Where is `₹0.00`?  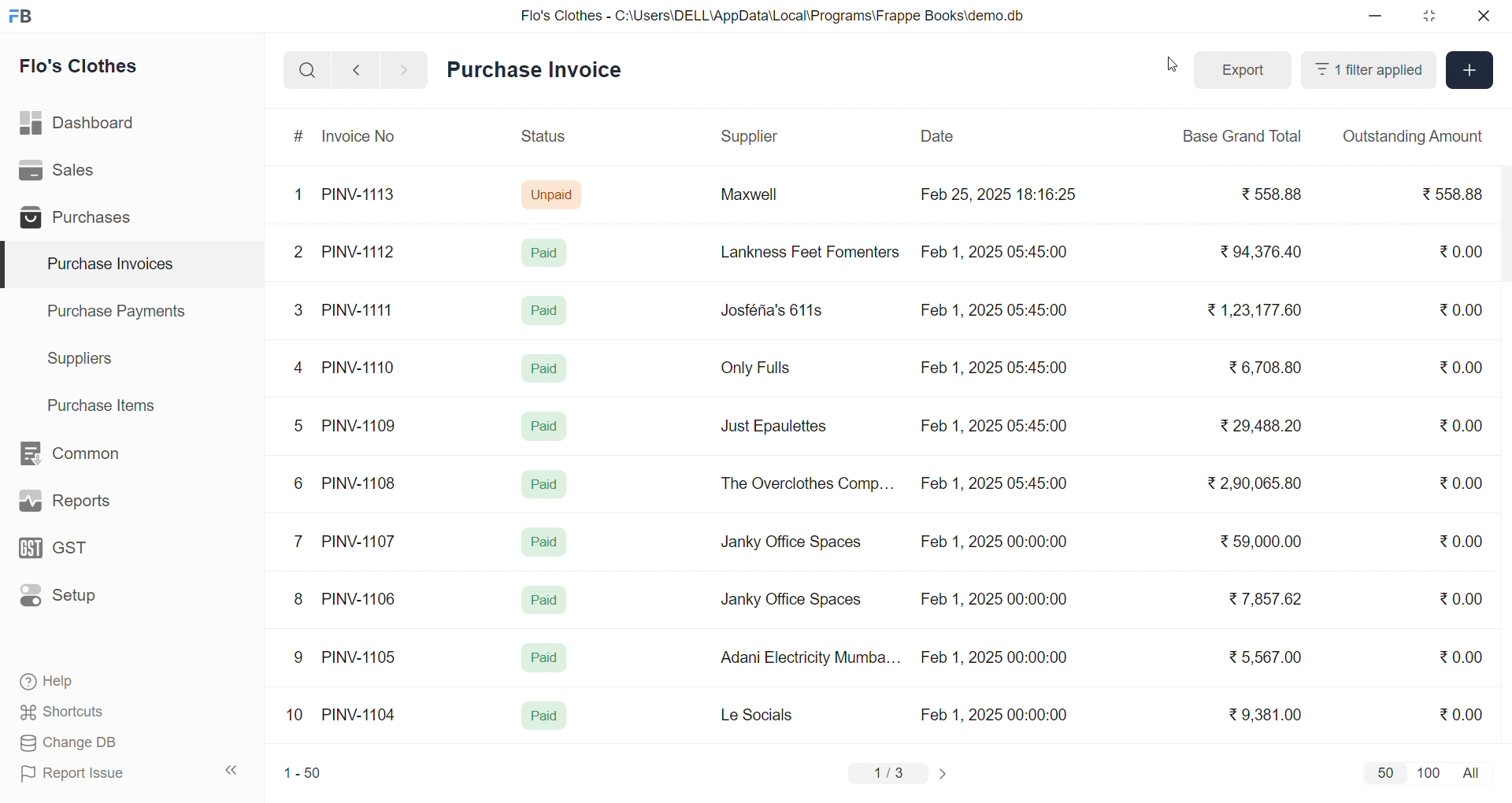
₹0.00 is located at coordinates (1466, 539).